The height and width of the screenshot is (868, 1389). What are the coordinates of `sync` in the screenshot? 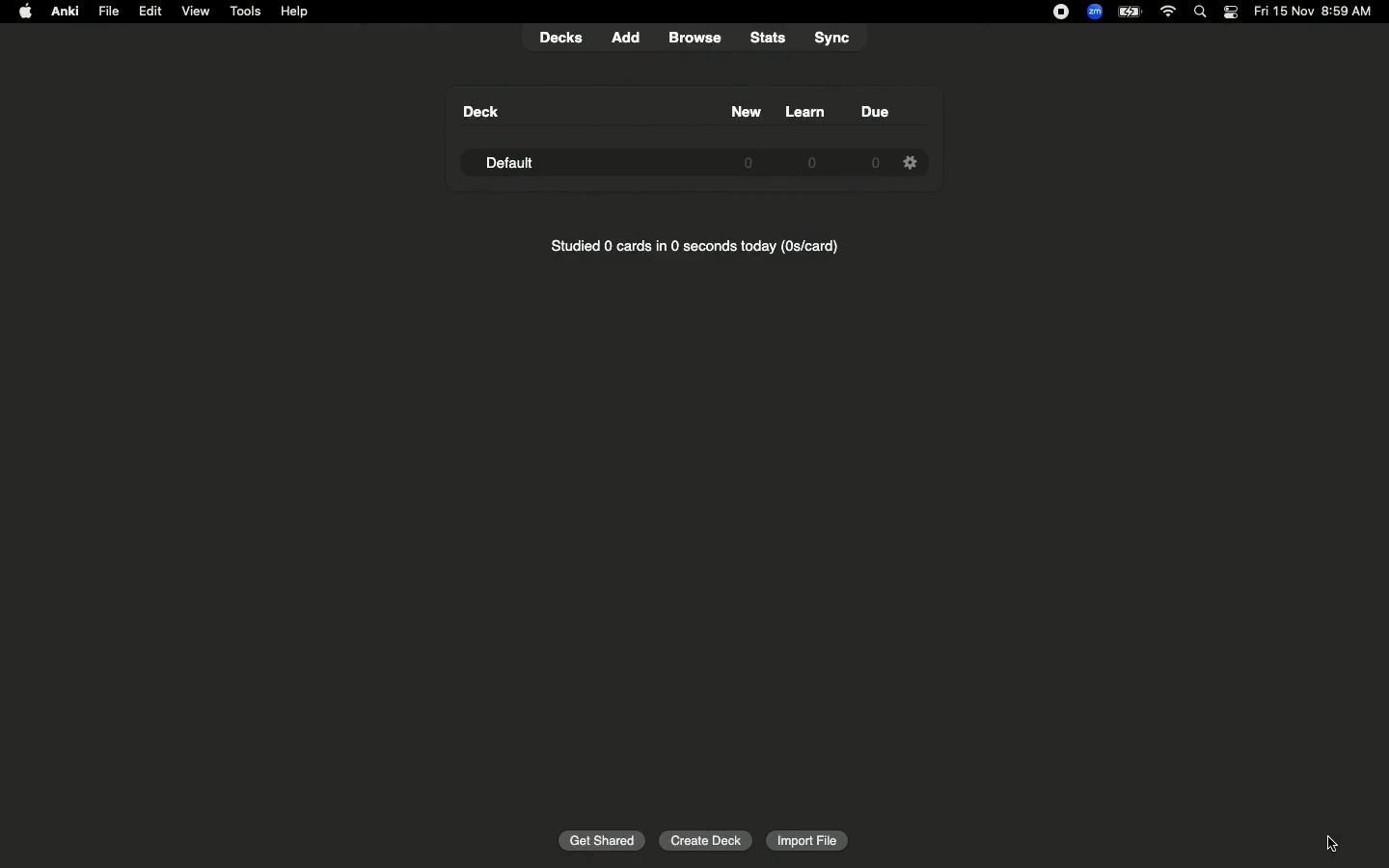 It's located at (836, 38).